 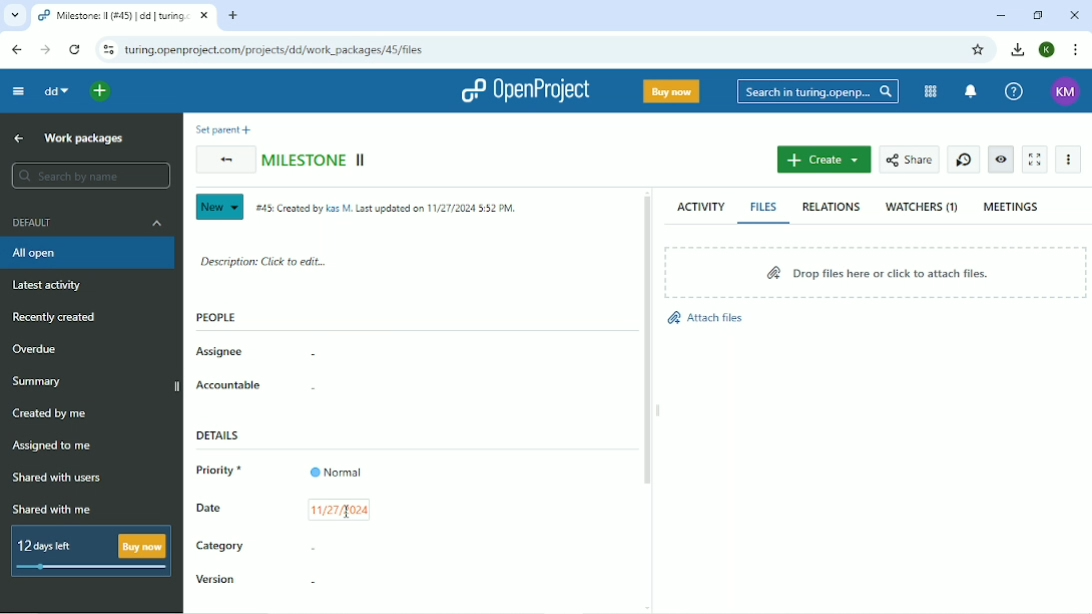 What do you see at coordinates (210, 507) in the screenshot?
I see `Date` at bounding box center [210, 507].